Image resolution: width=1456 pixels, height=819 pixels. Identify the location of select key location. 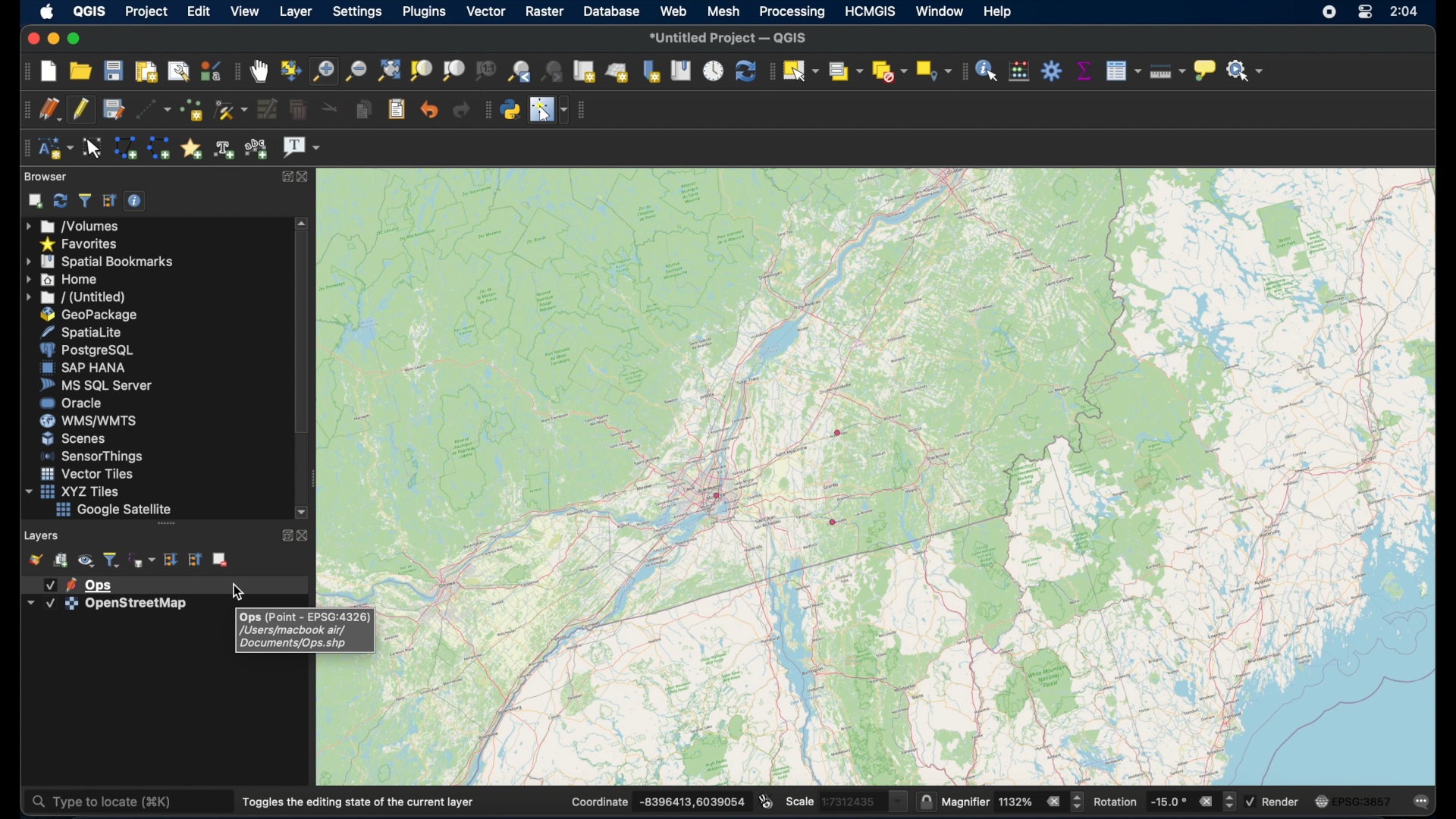
(933, 71).